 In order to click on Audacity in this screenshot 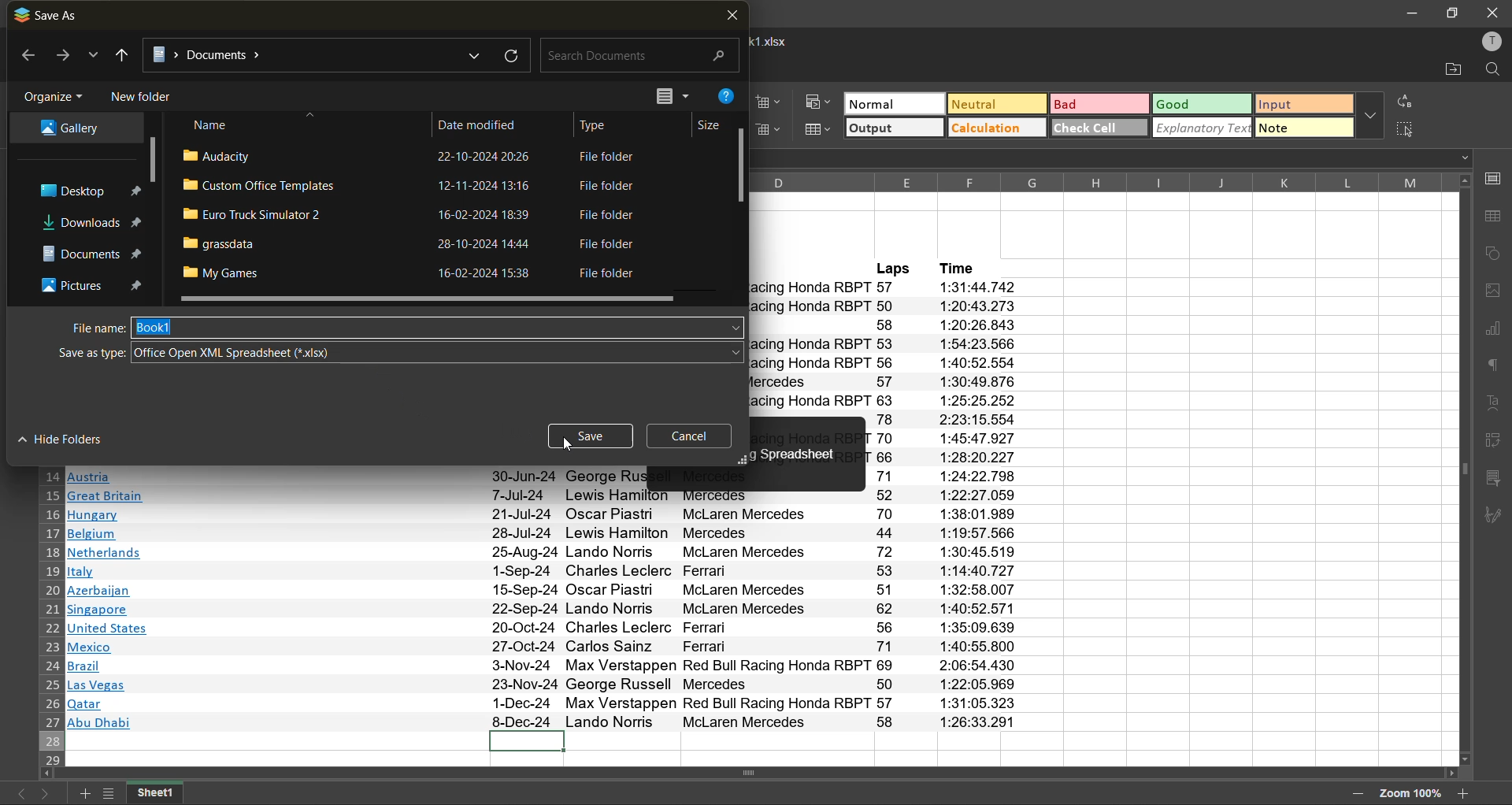, I will do `click(227, 155)`.